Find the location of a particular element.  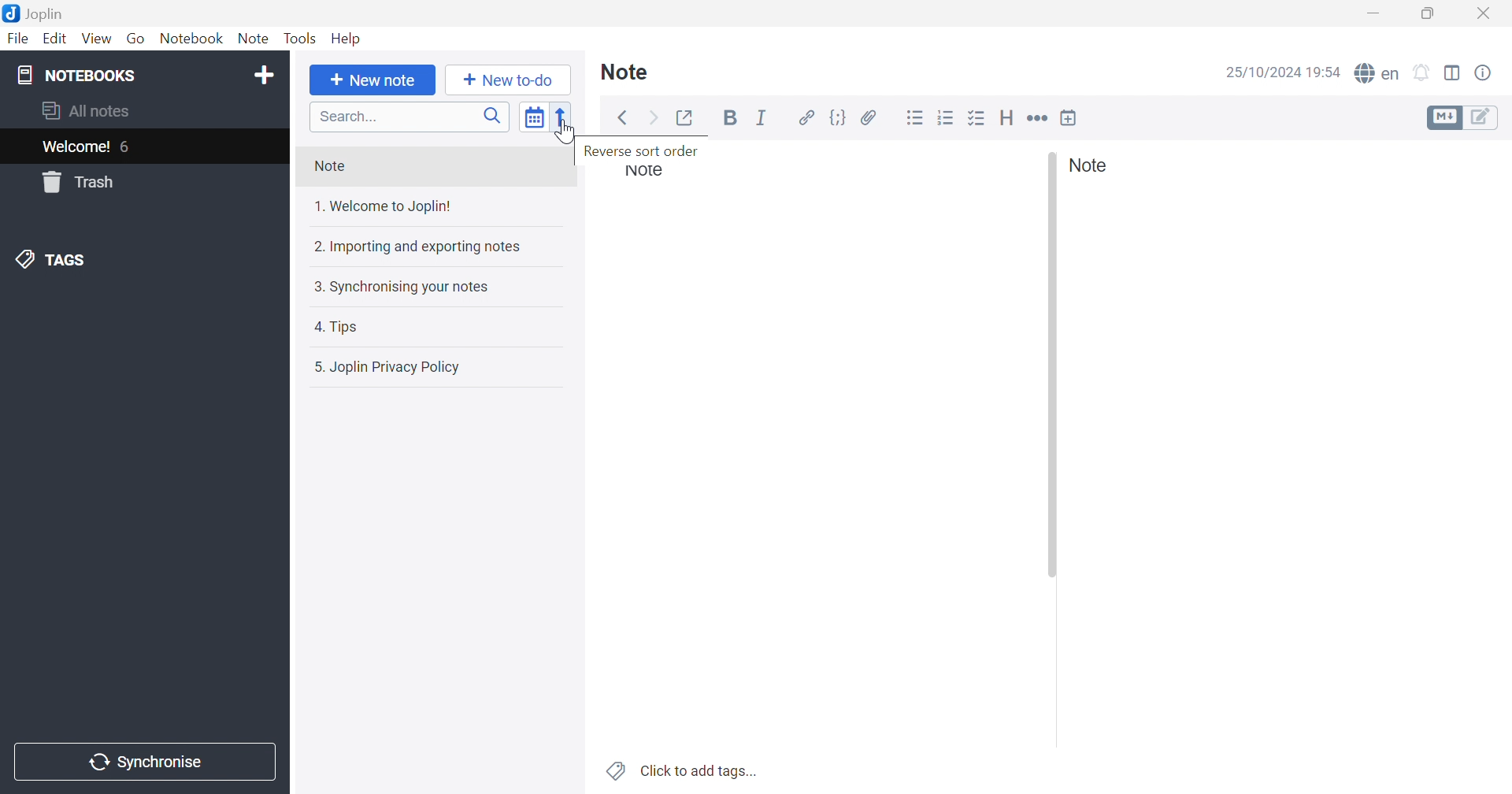

Code is located at coordinates (836, 118).